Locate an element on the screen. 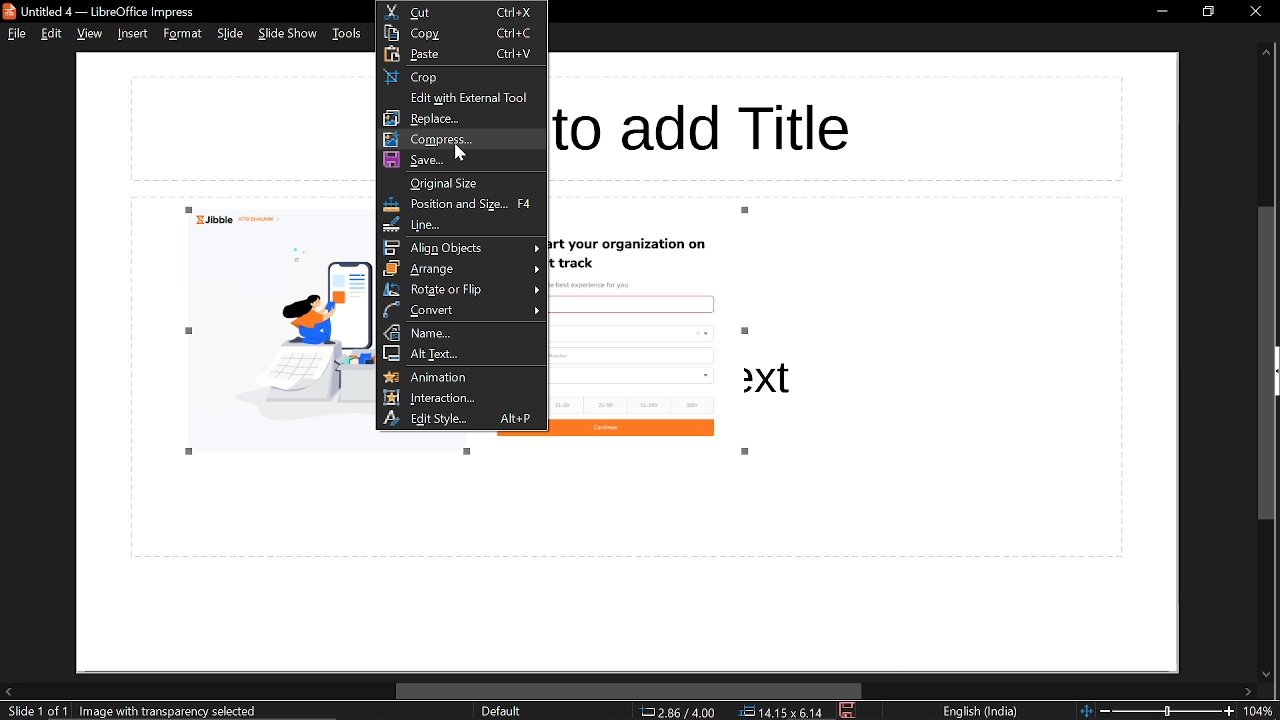 Image resolution: width=1280 pixels, height=720 pixels. file is located at coordinates (16, 33).